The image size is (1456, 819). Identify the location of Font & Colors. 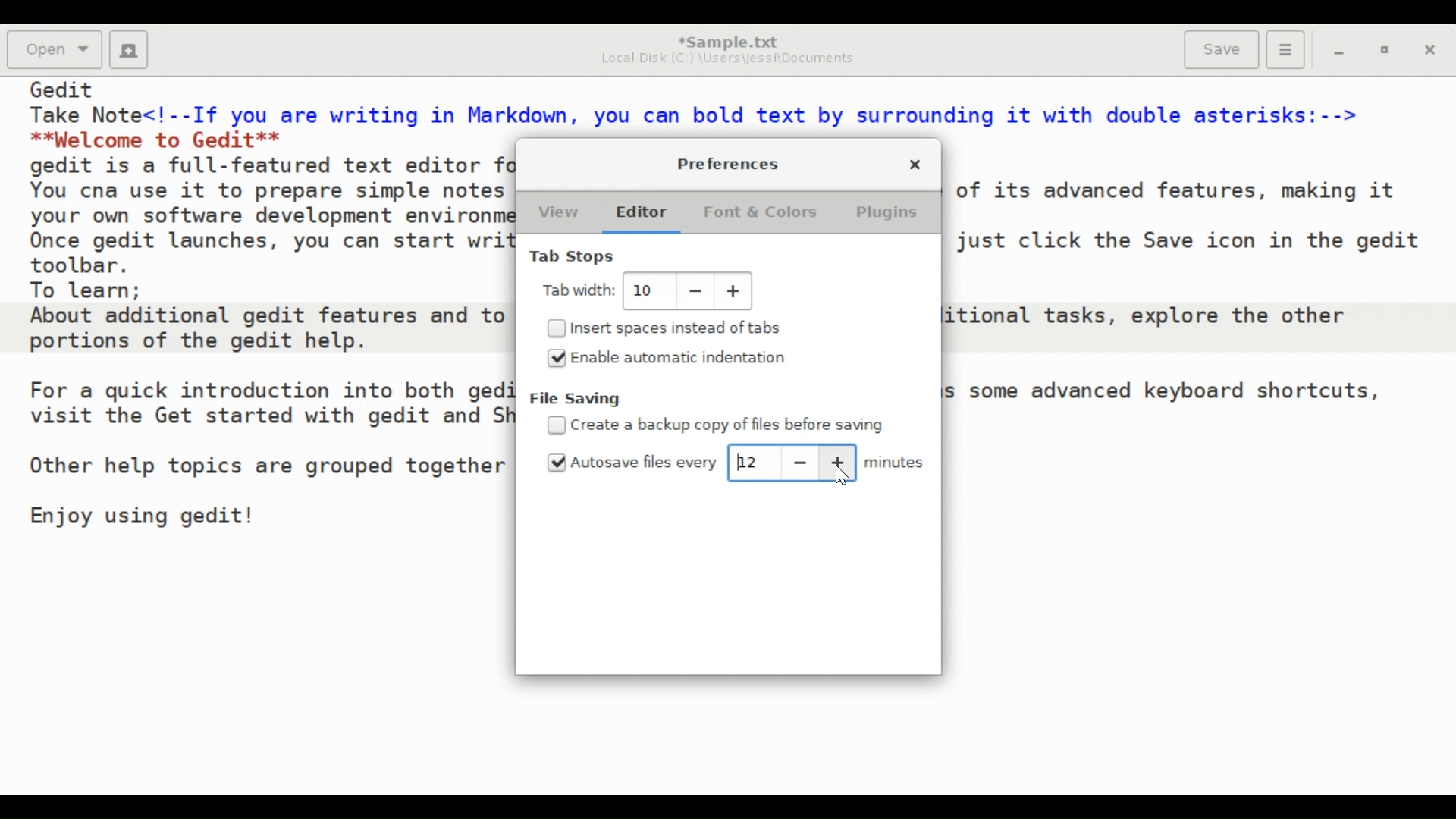
(762, 212).